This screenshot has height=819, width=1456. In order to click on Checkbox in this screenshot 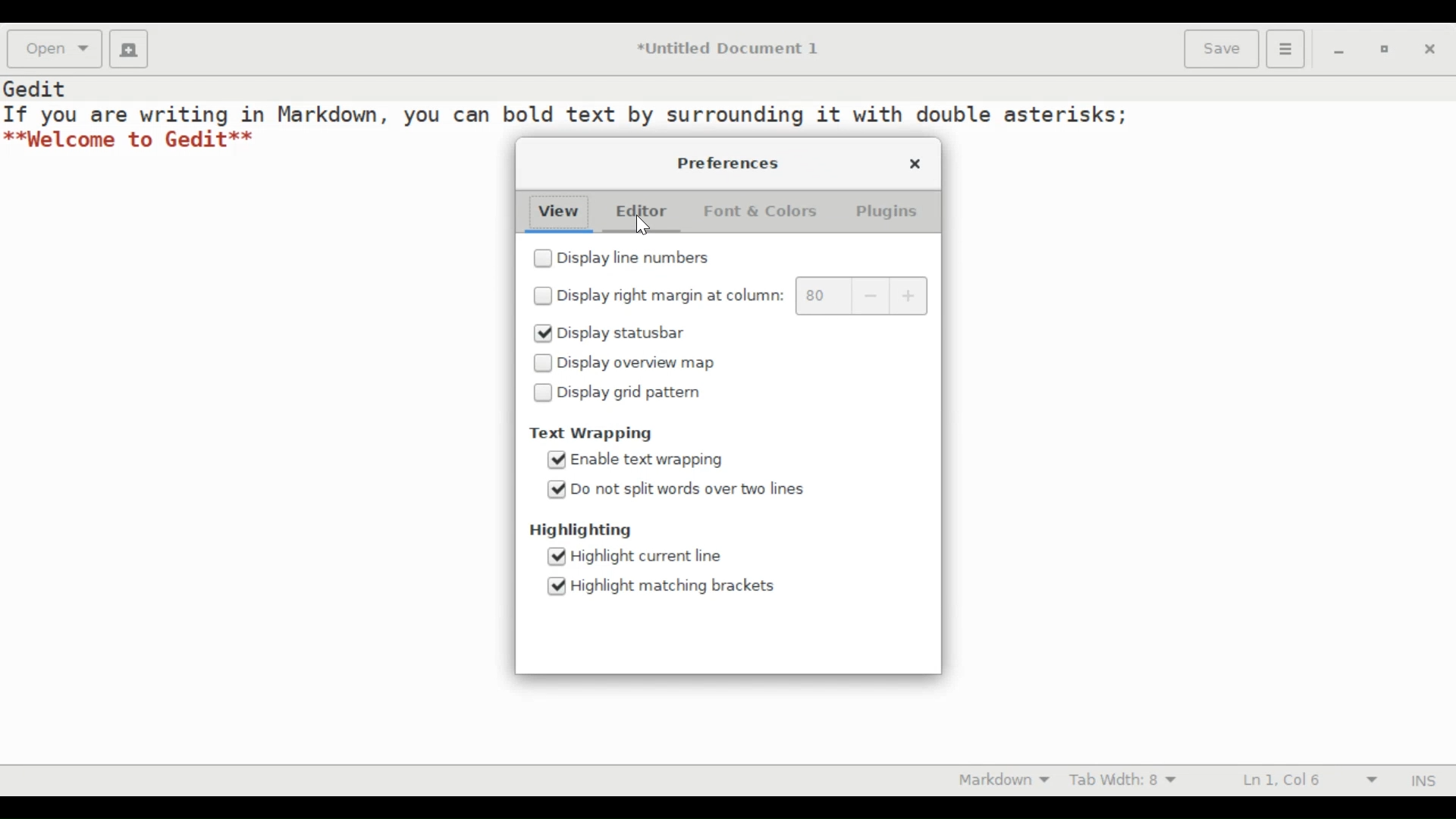, I will do `click(543, 393)`.